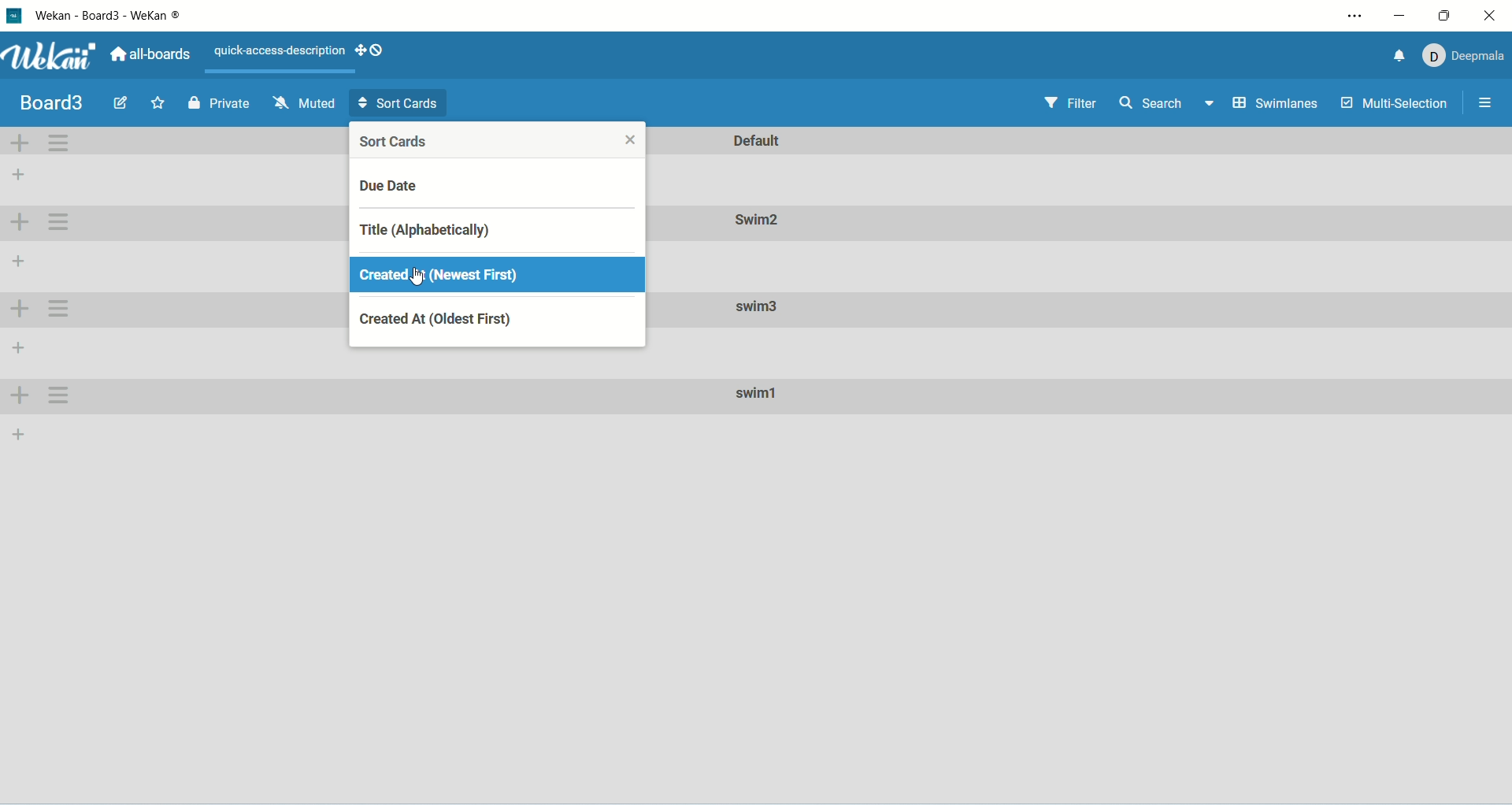  What do you see at coordinates (16, 18) in the screenshot?
I see `logo` at bounding box center [16, 18].